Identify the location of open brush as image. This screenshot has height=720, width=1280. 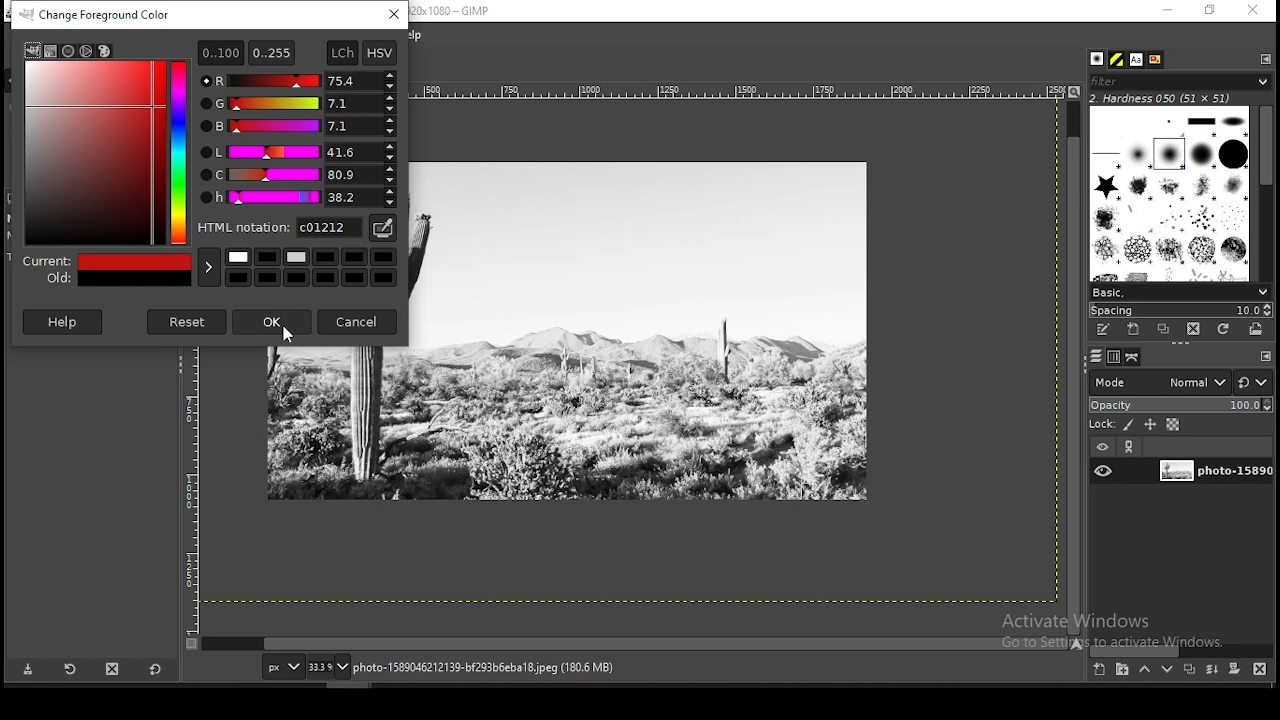
(1257, 330).